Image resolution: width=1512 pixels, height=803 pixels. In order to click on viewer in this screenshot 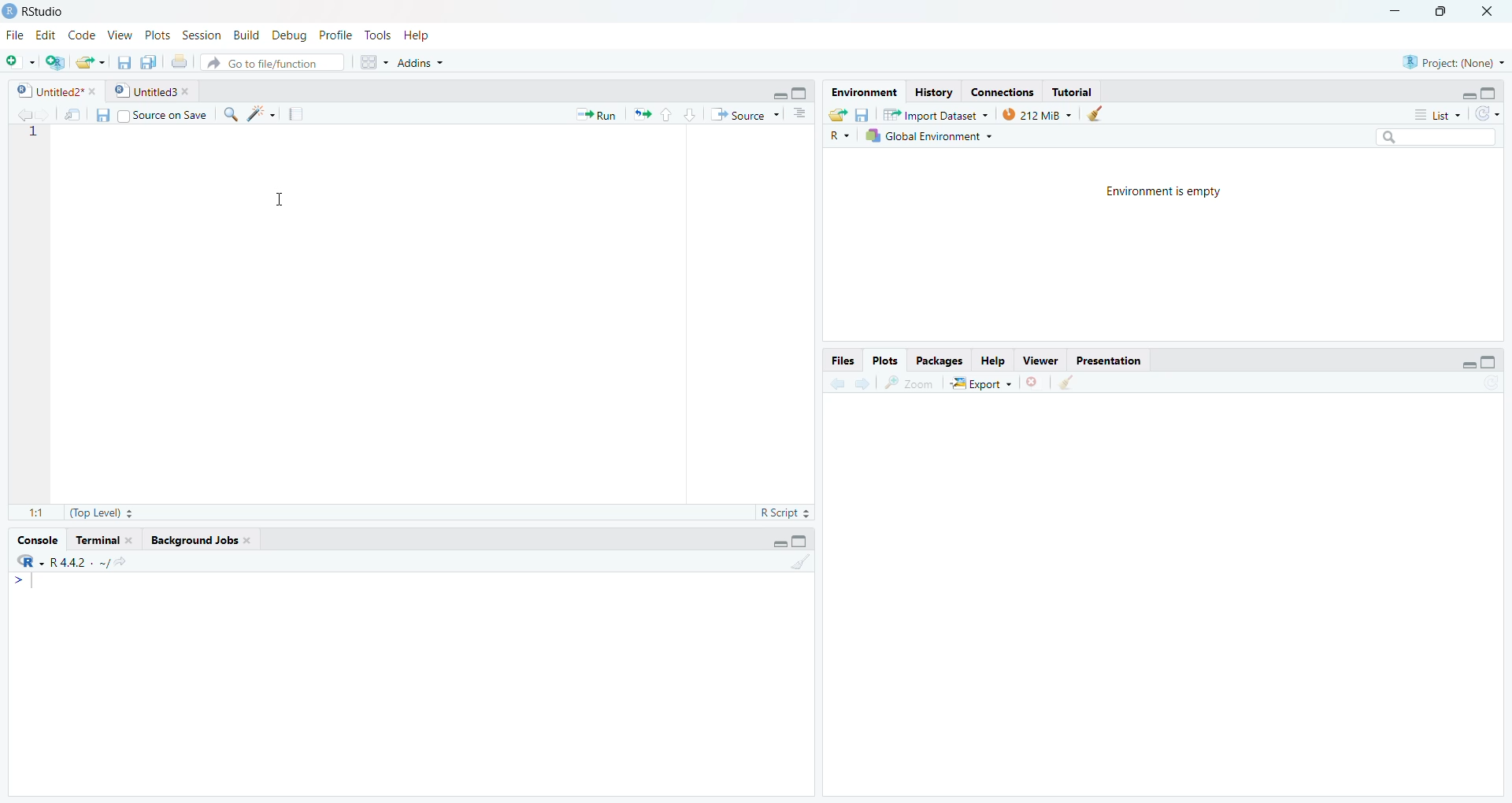, I will do `click(1039, 359)`.